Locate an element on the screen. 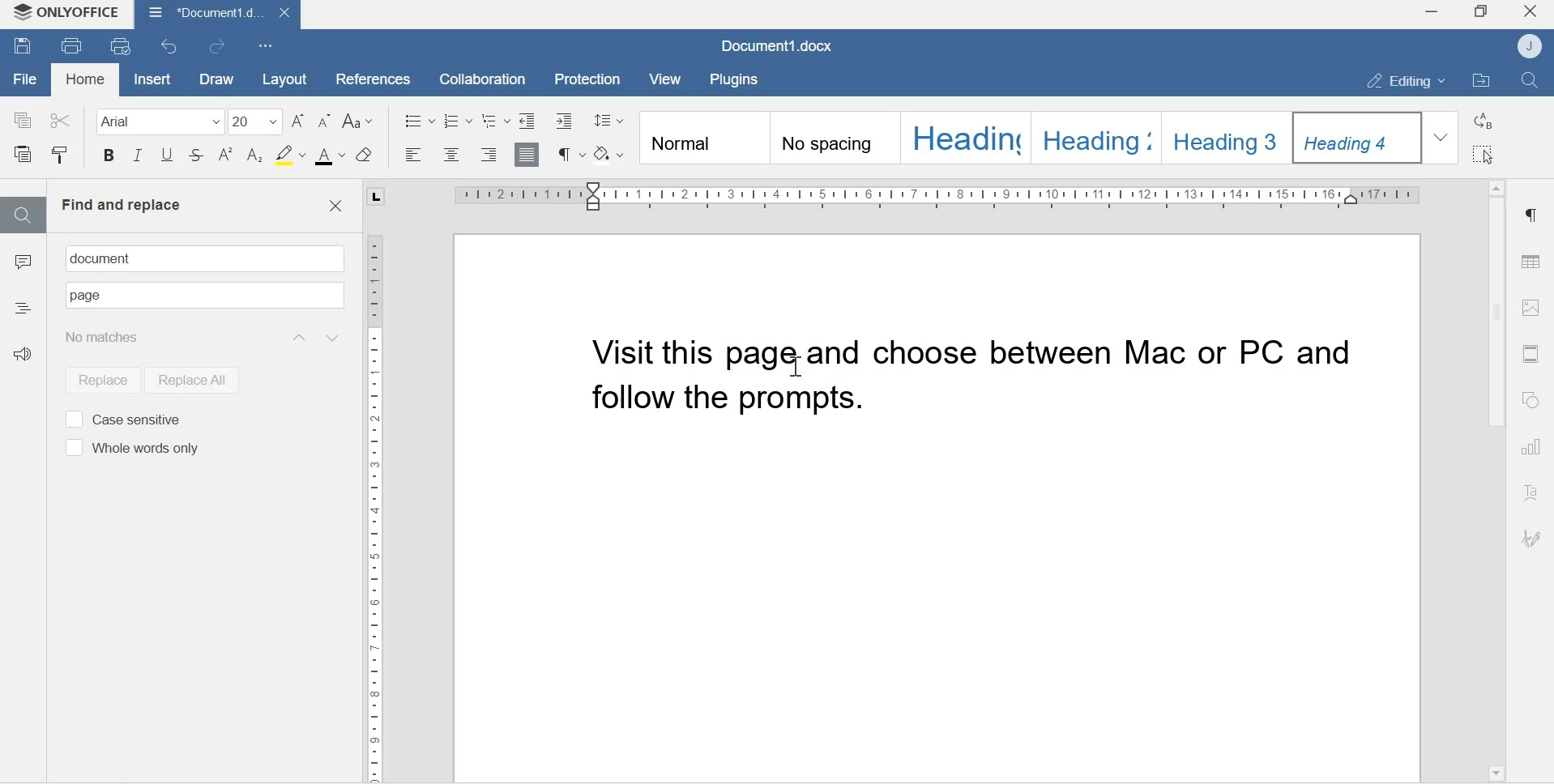 This screenshot has width=1554, height=784. File is located at coordinates (25, 79).